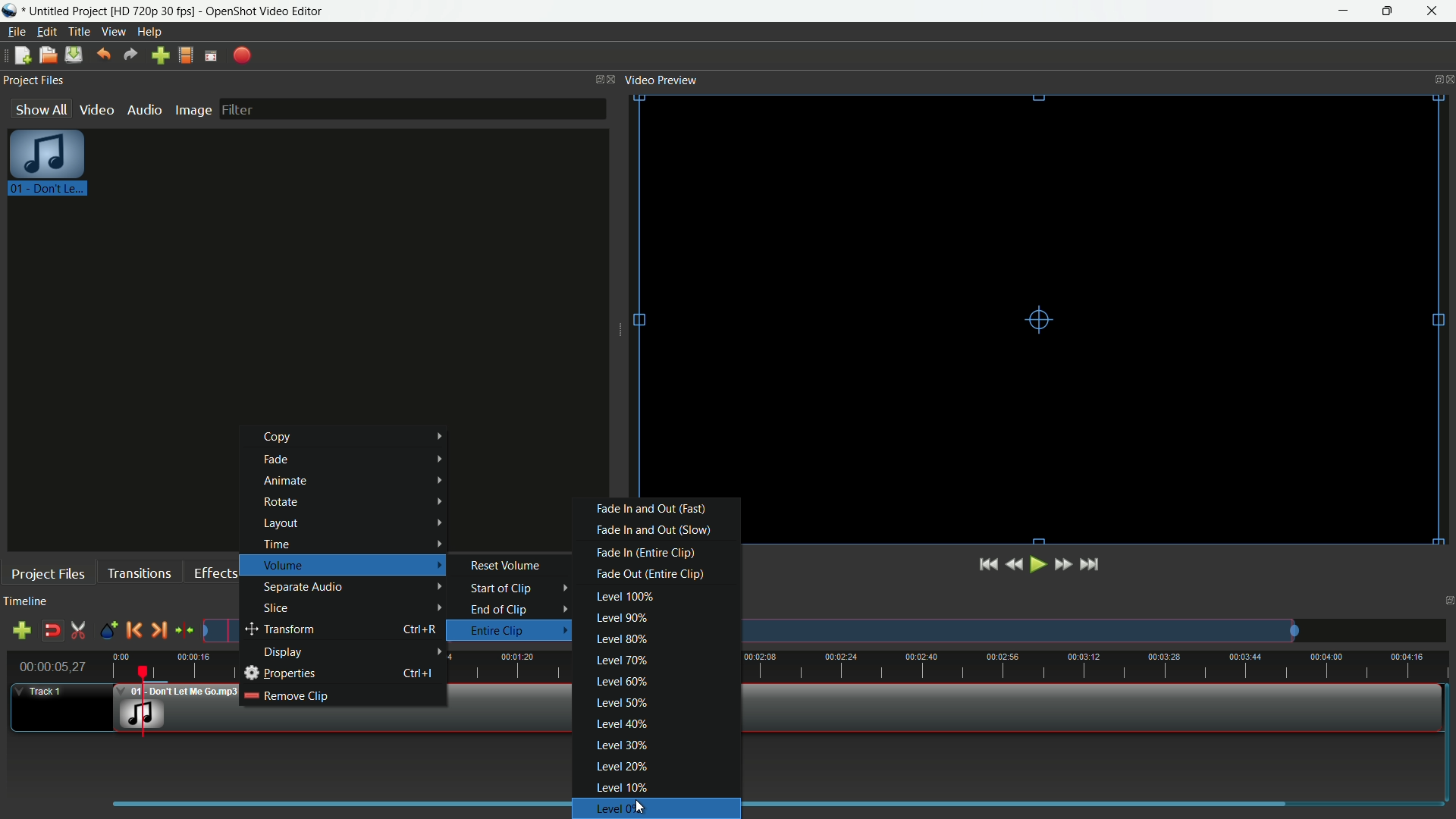  What do you see at coordinates (354, 501) in the screenshot?
I see `rotate` at bounding box center [354, 501].